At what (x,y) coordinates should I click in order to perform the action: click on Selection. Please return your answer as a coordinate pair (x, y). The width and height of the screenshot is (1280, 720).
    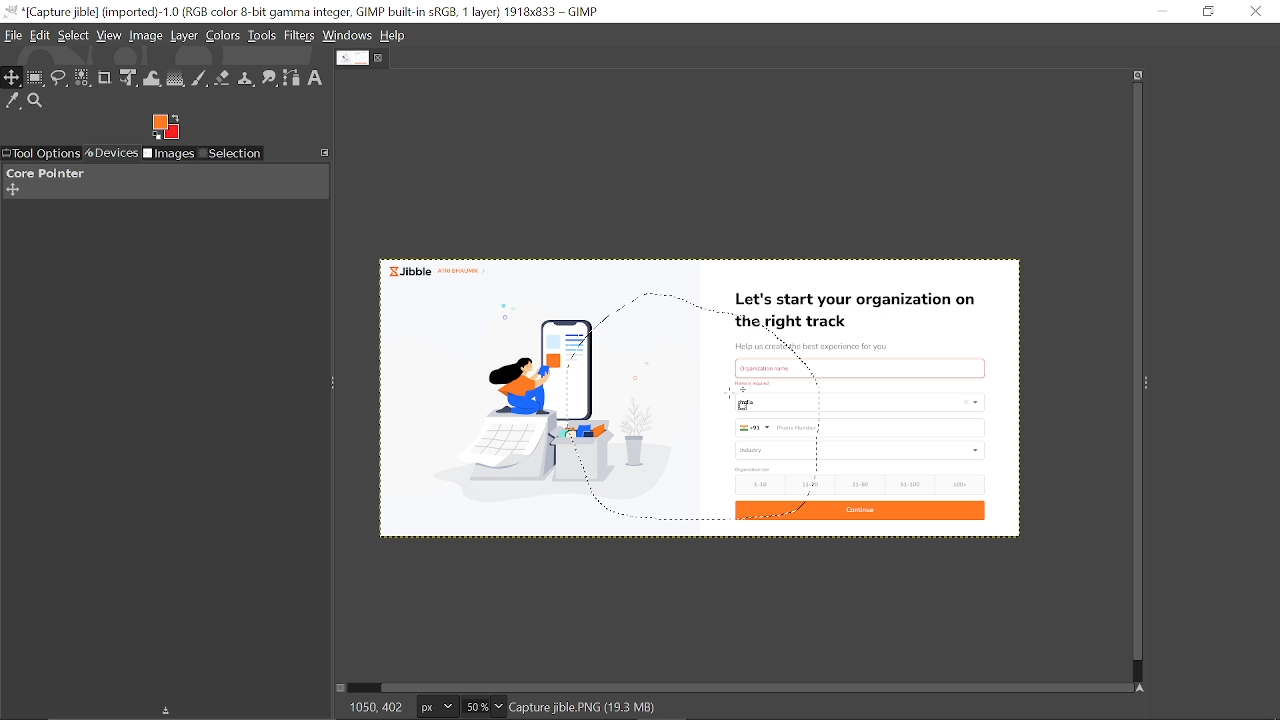
    Looking at the image, I should click on (230, 155).